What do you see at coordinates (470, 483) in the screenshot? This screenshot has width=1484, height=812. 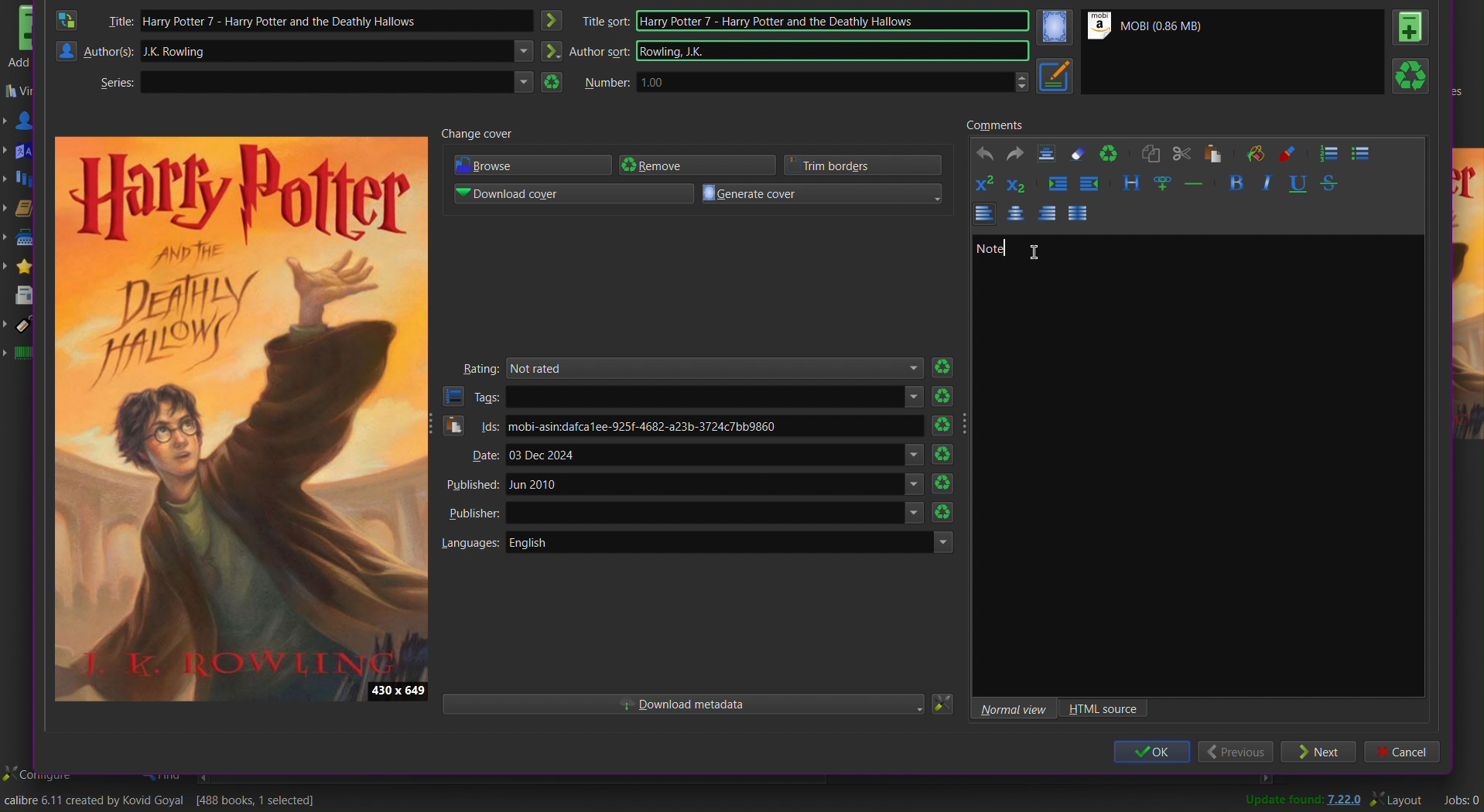 I see `Published` at bounding box center [470, 483].